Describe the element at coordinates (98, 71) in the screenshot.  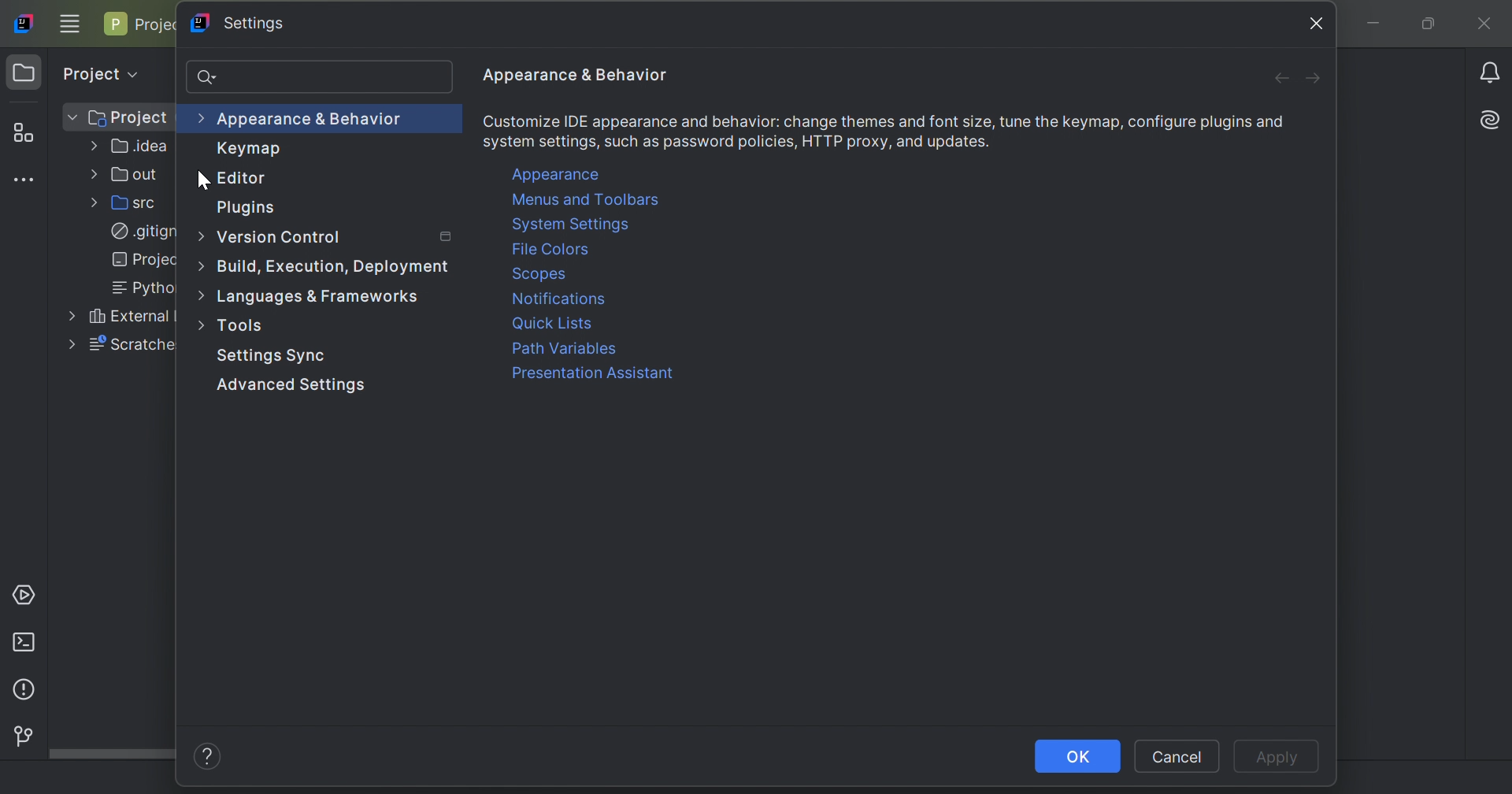
I see `Project` at that location.